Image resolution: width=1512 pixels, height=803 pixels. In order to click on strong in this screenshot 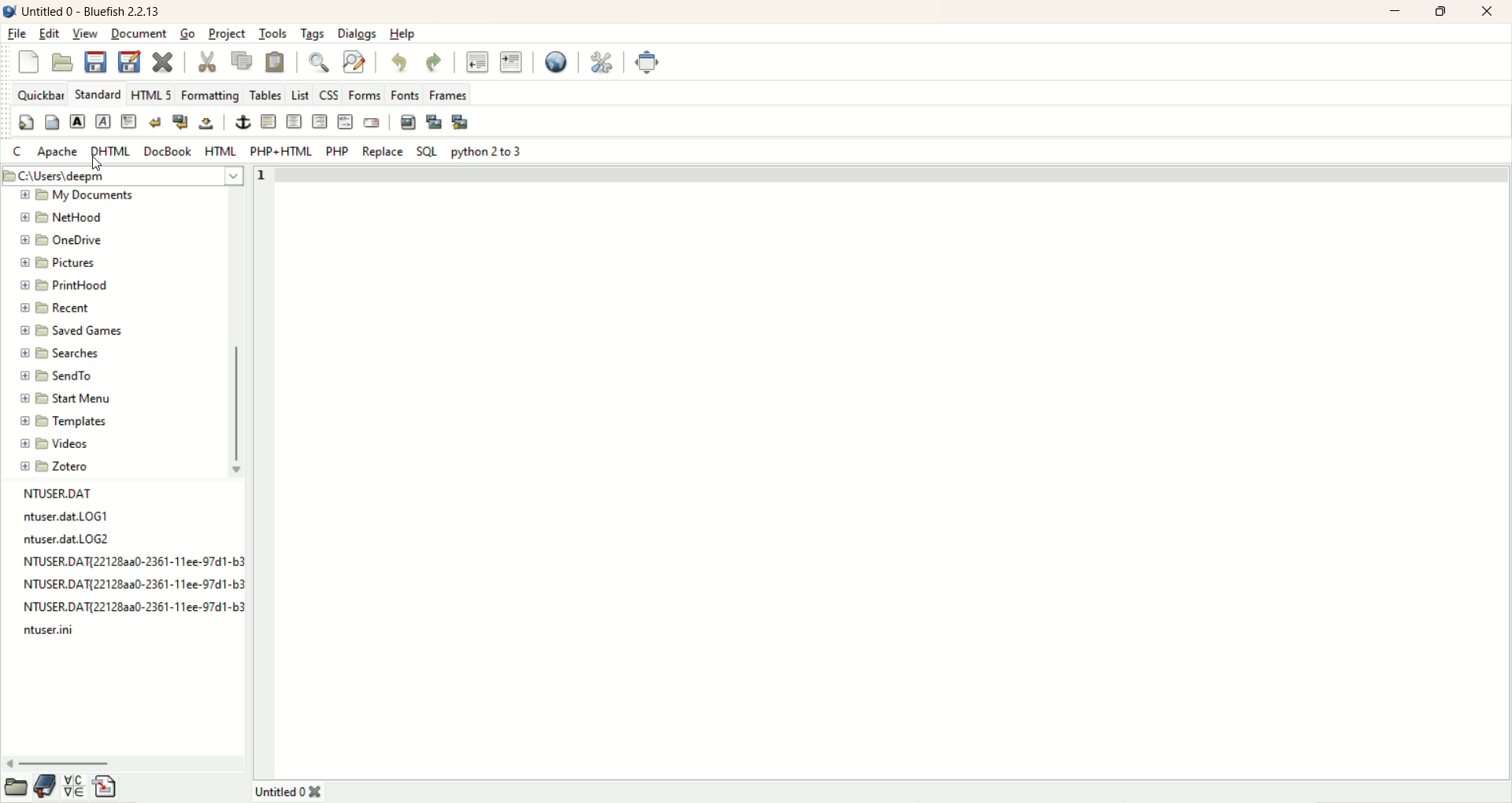, I will do `click(76, 121)`.